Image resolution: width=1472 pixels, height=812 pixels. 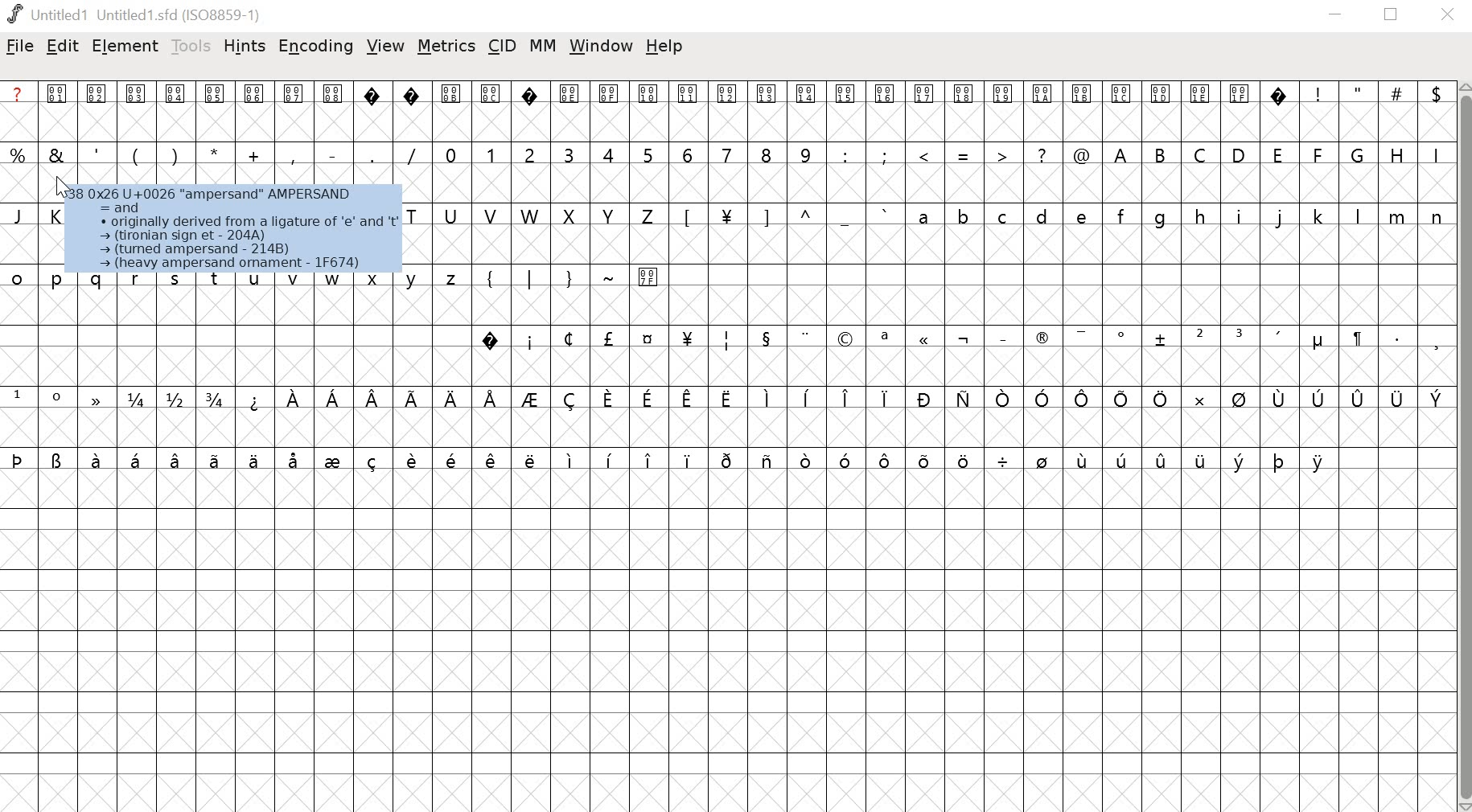 What do you see at coordinates (611, 154) in the screenshot?
I see `4` at bounding box center [611, 154].